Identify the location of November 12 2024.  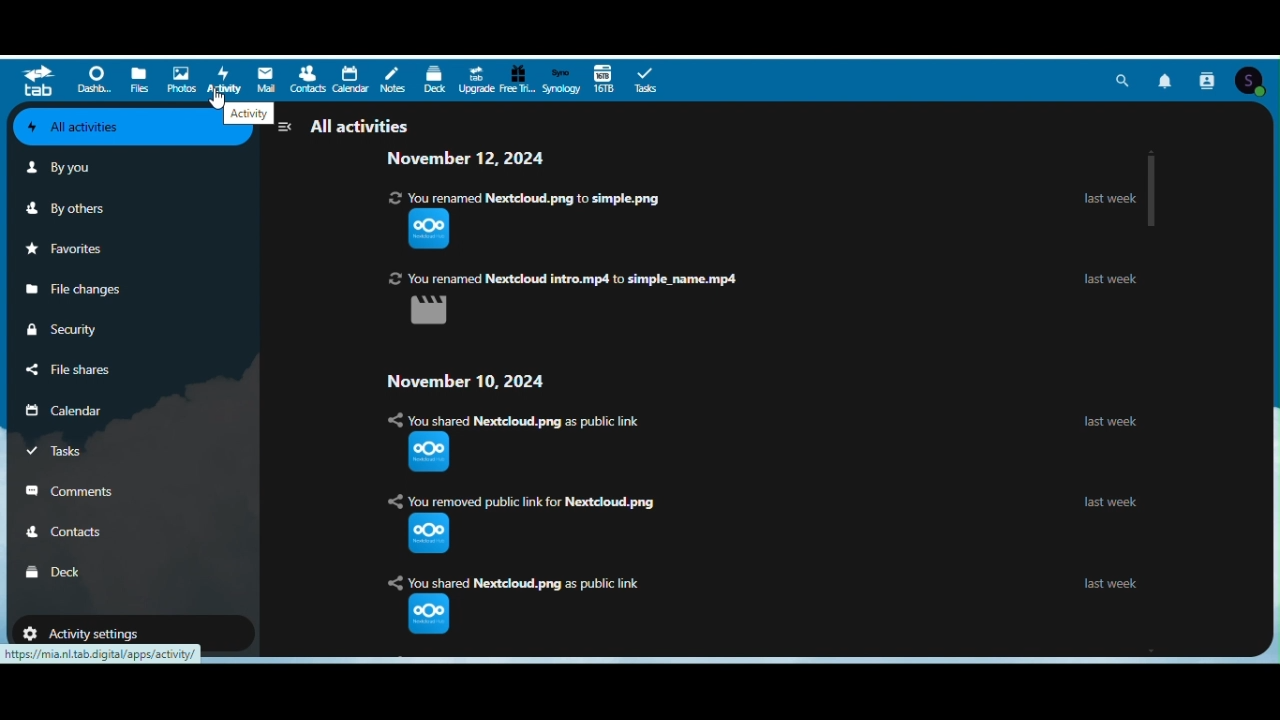
(489, 160).